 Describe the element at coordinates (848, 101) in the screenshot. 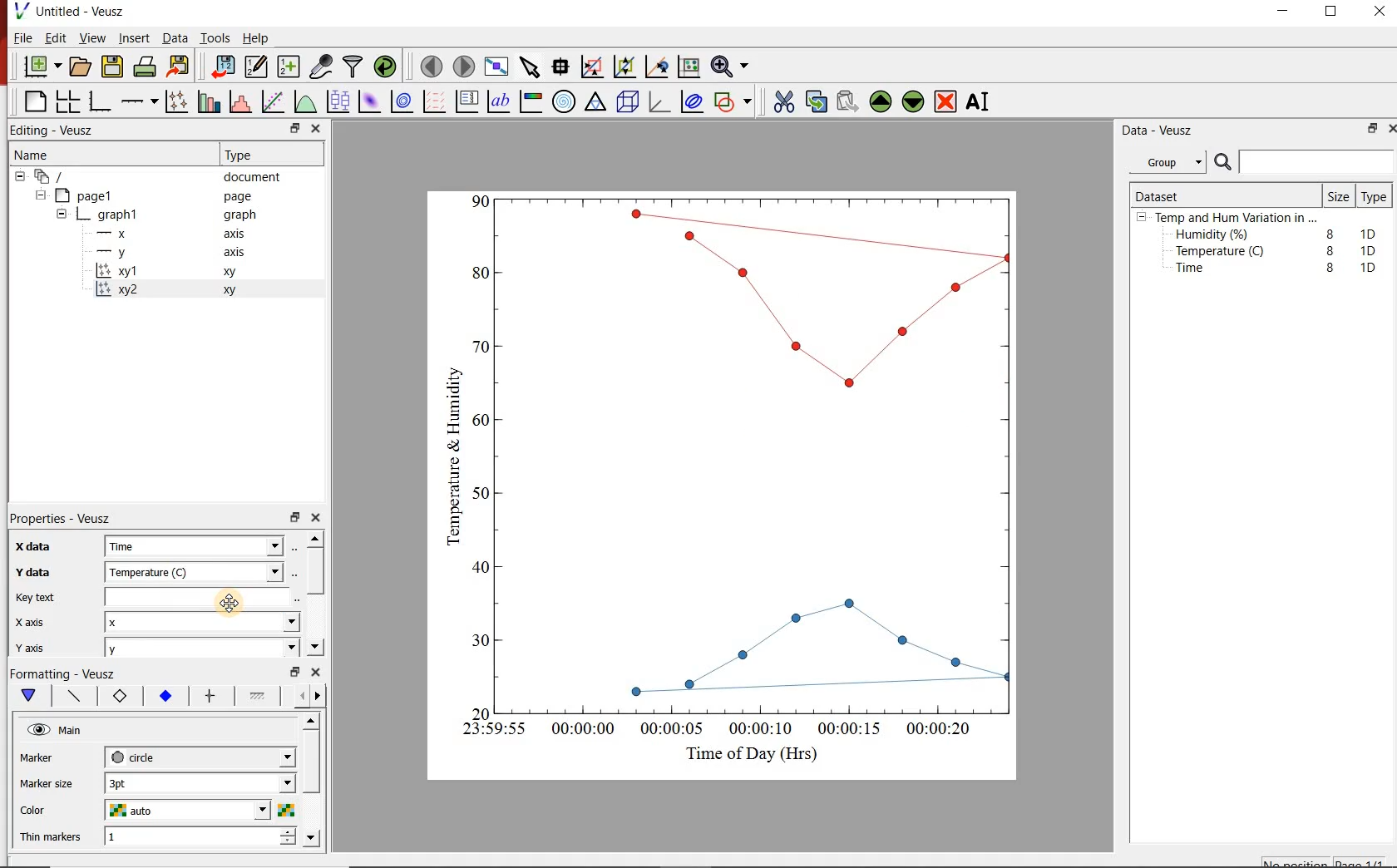

I see `Paste widget from the clipboard` at that location.